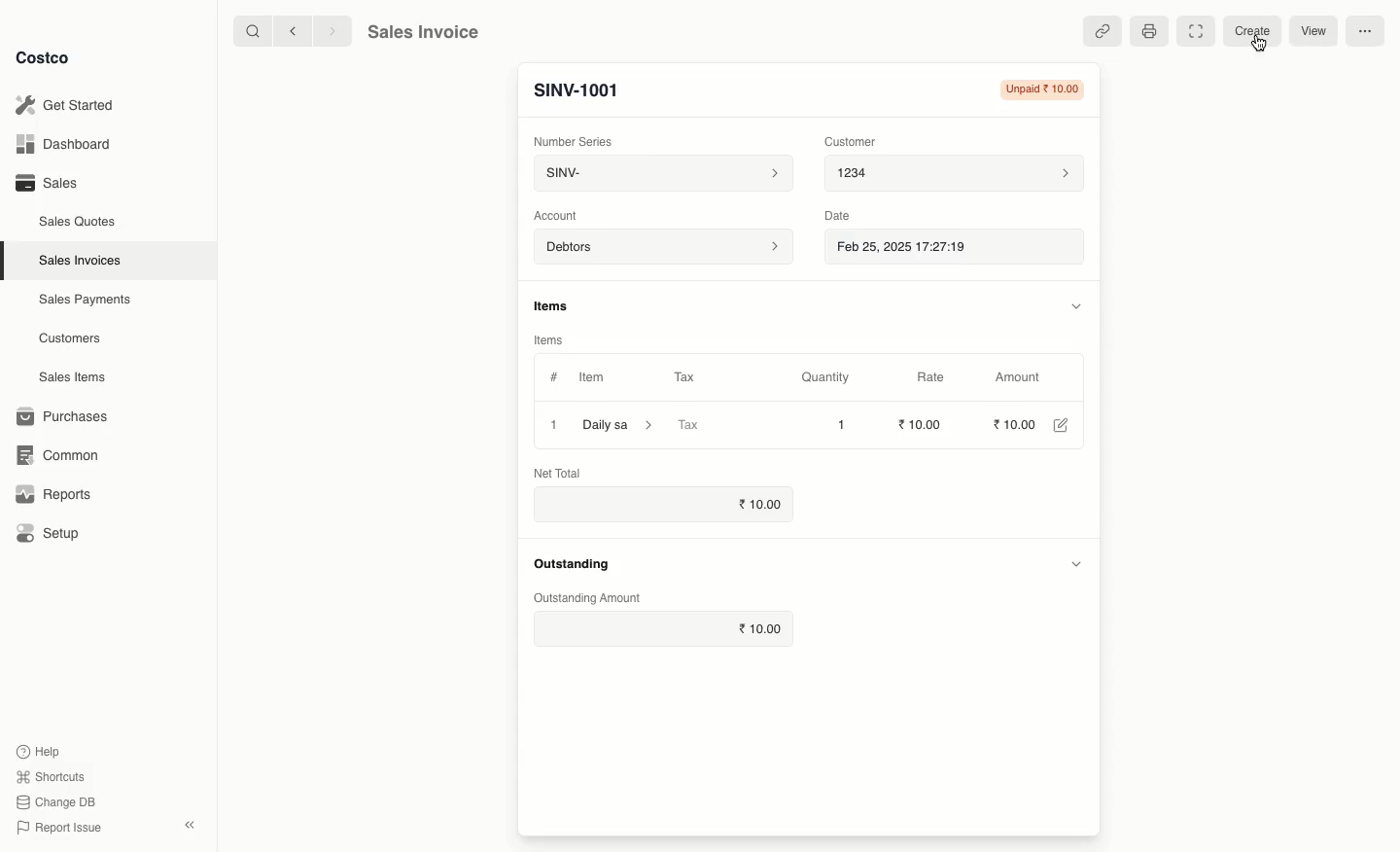 Image resolution: width=1400 pixels, height=852 pixels. What do you see at coordinates (69, 378) in the screenshot?
I see `Sales Items.` at bounding box center [69, 378].